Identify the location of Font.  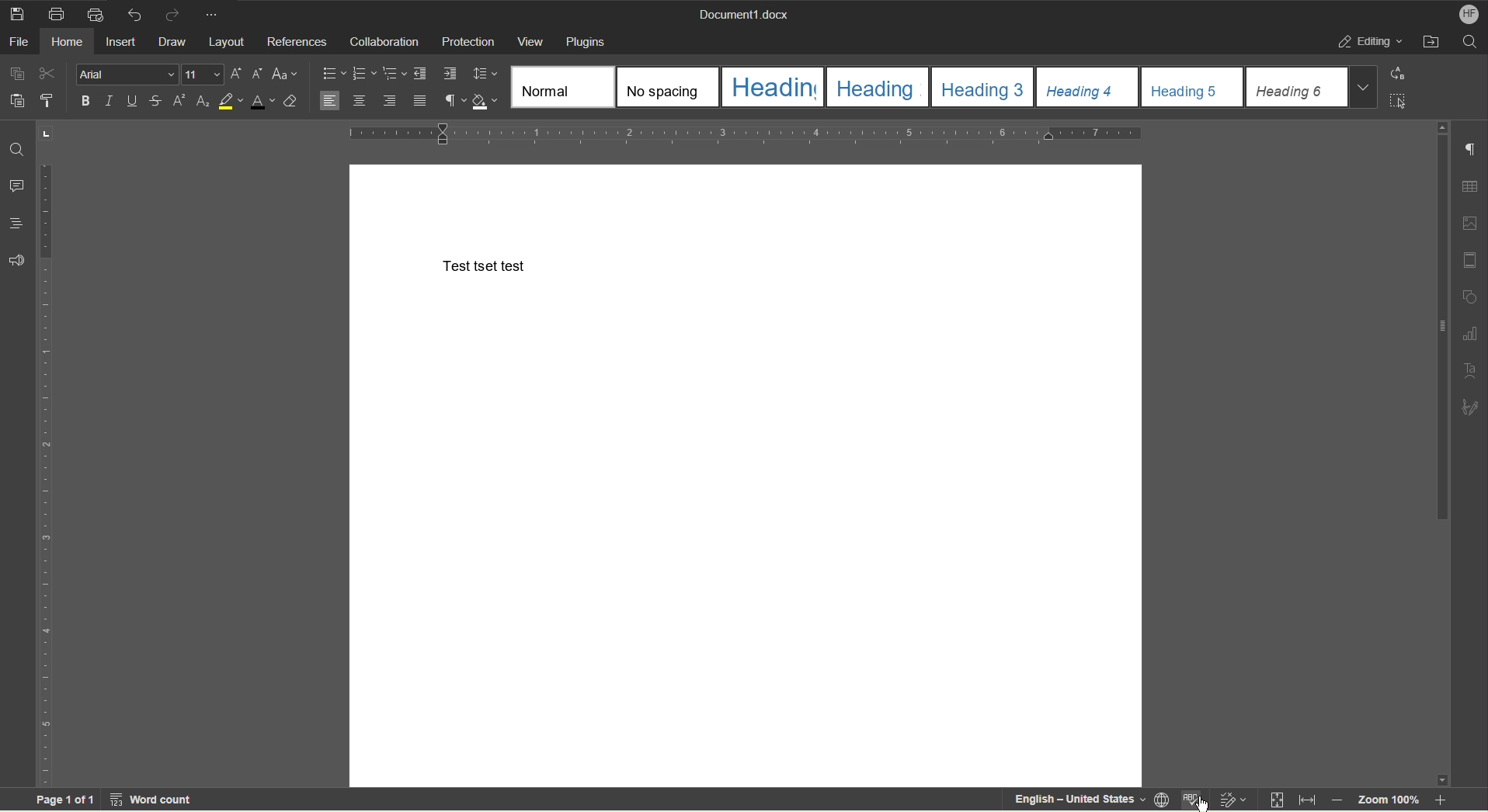
(127, 75).